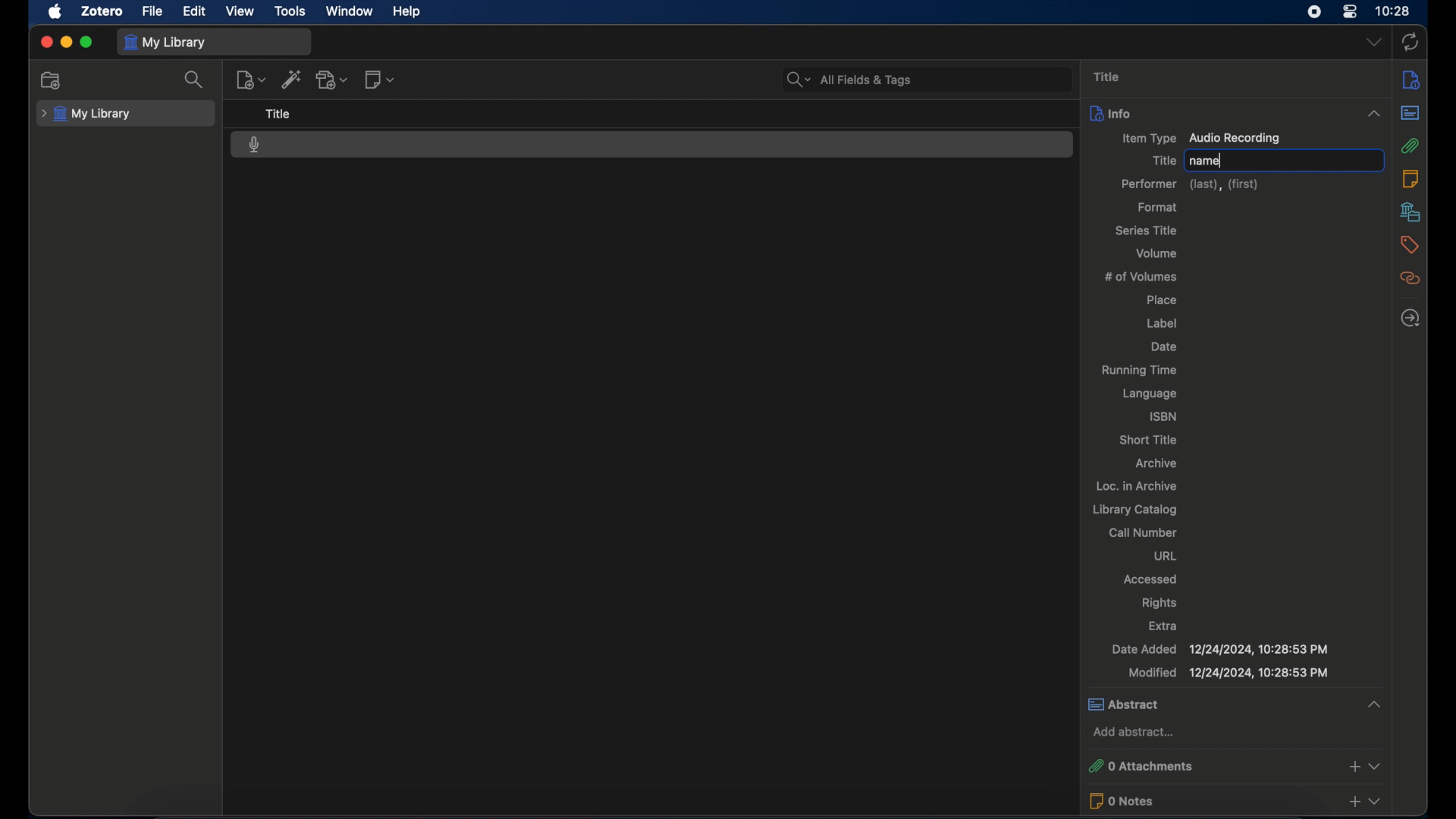 The image size is (1456, 819). I want to click on add abstract, so click(1132, 732).